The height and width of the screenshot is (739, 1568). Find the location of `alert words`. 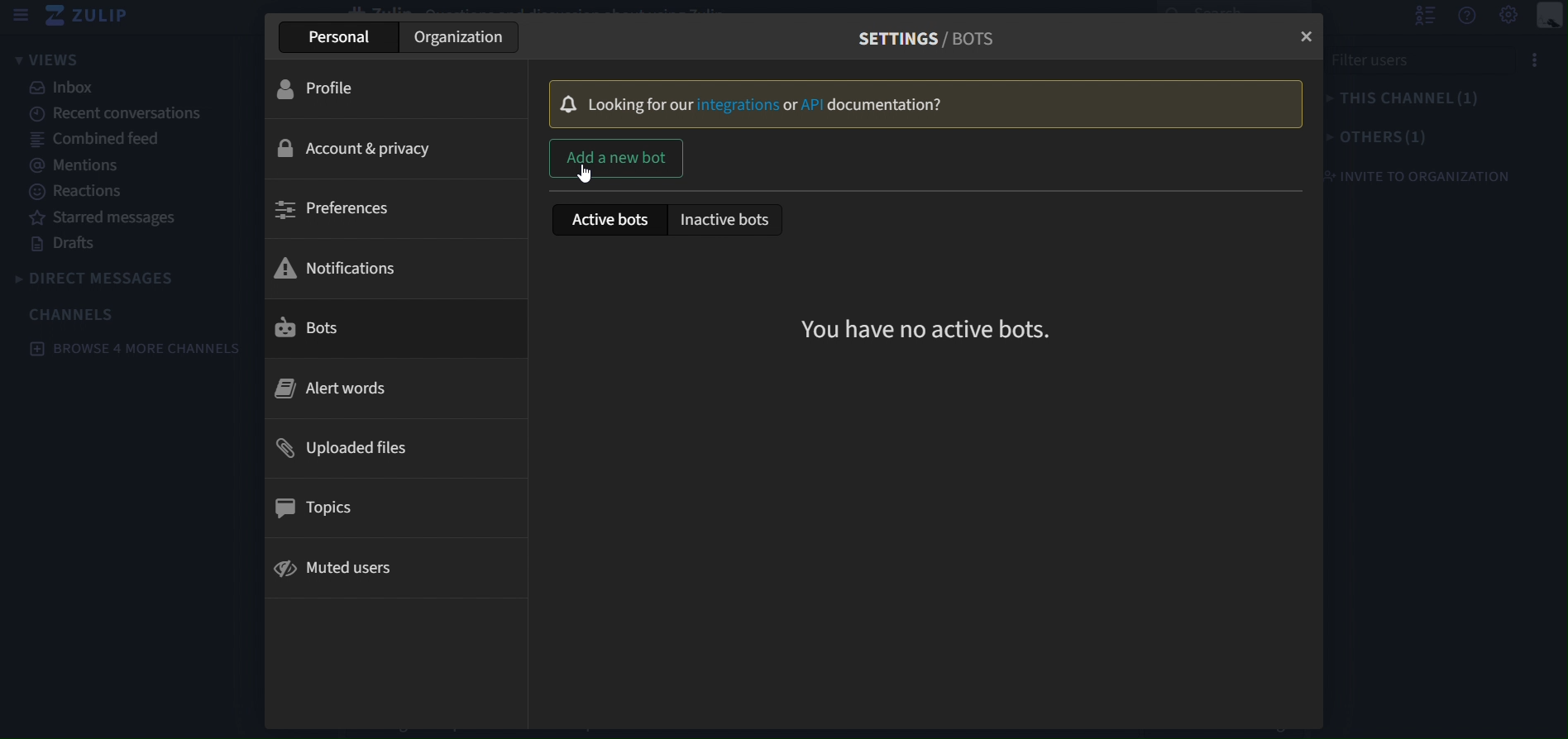

alert words is located at coordinates (383, 391).